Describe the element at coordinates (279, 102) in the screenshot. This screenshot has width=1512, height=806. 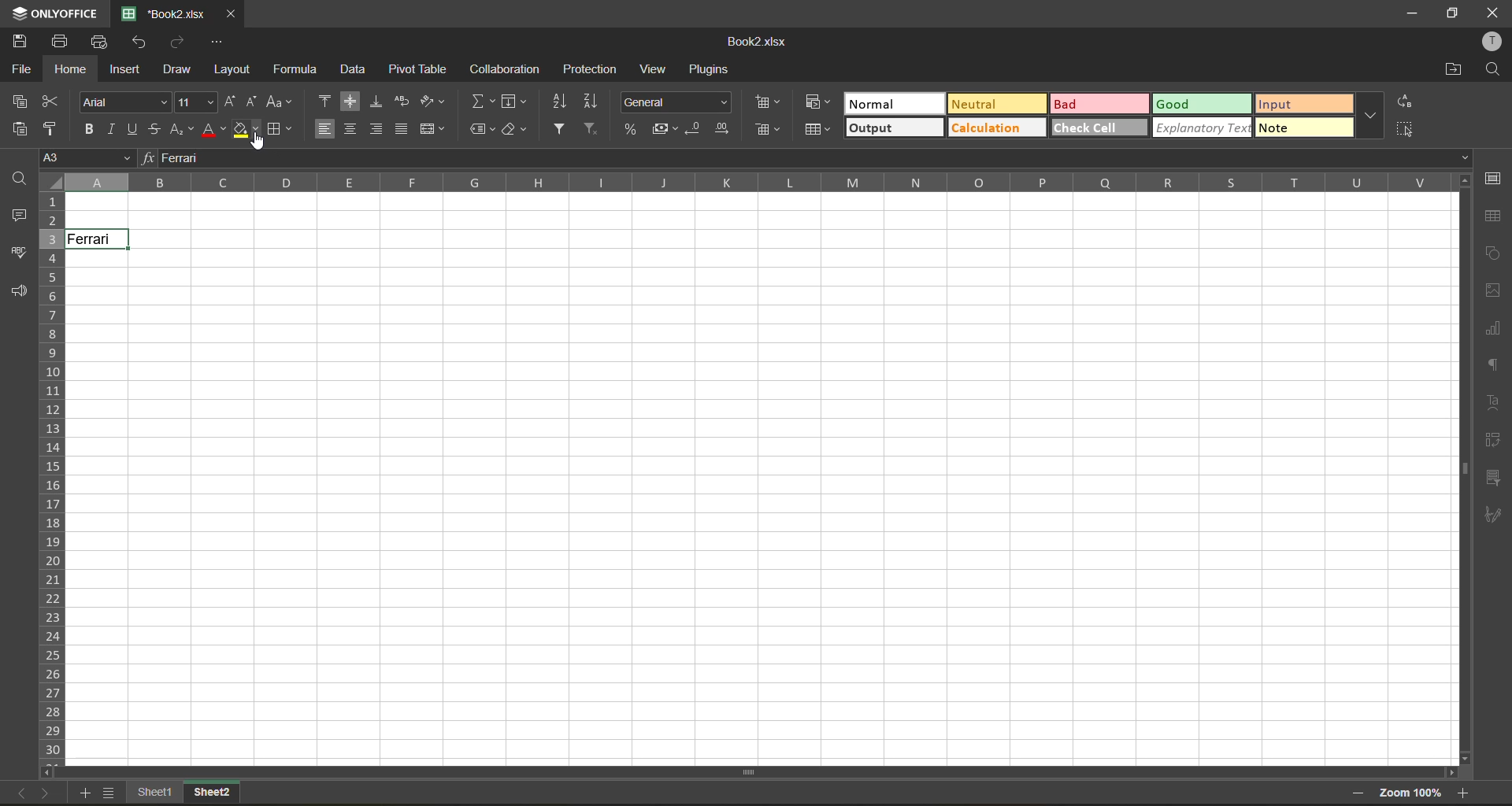
I see `change case` at that location.